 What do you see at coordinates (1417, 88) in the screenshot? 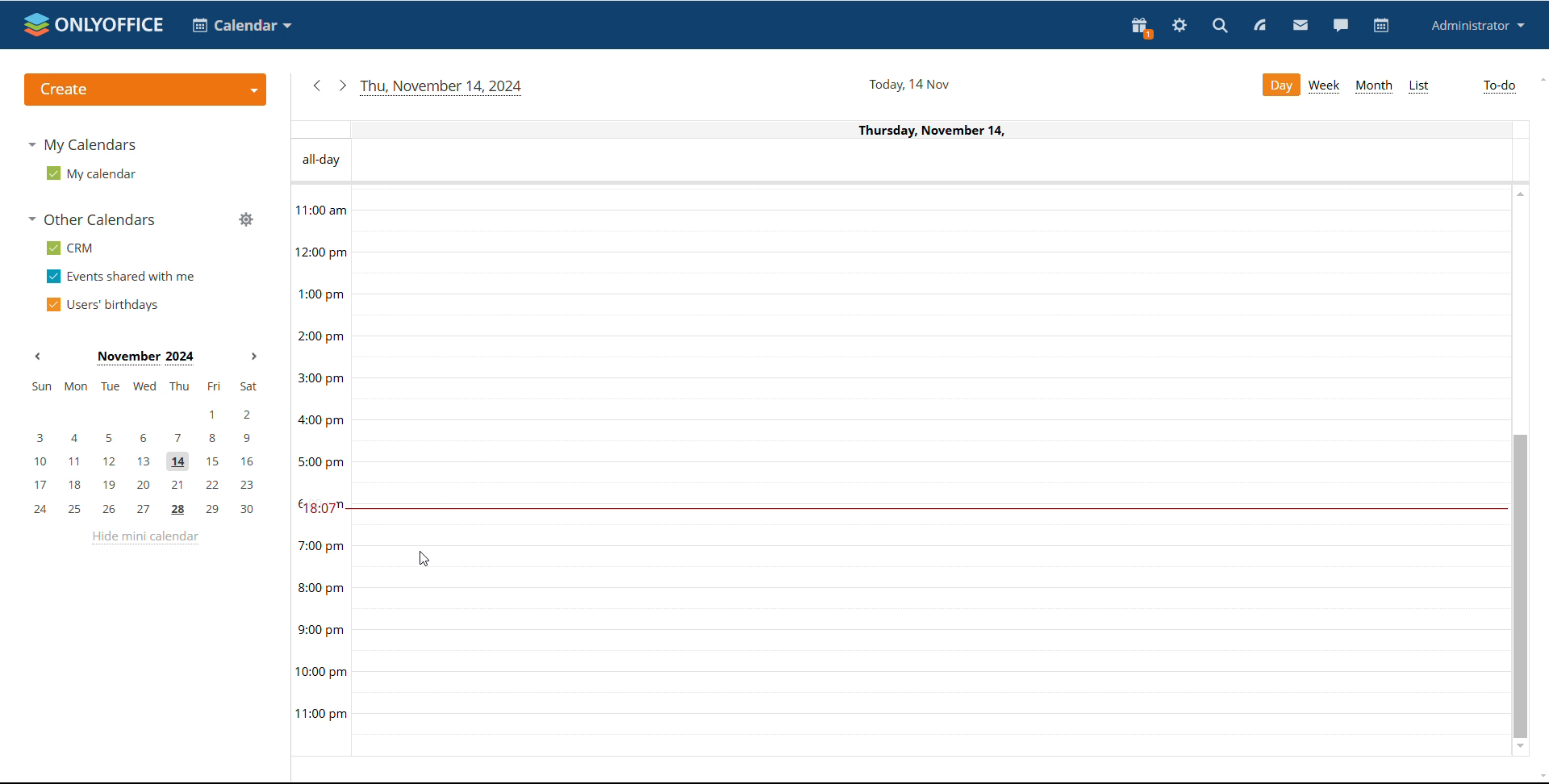
I see `list view` at bounding box center [1417, 88].